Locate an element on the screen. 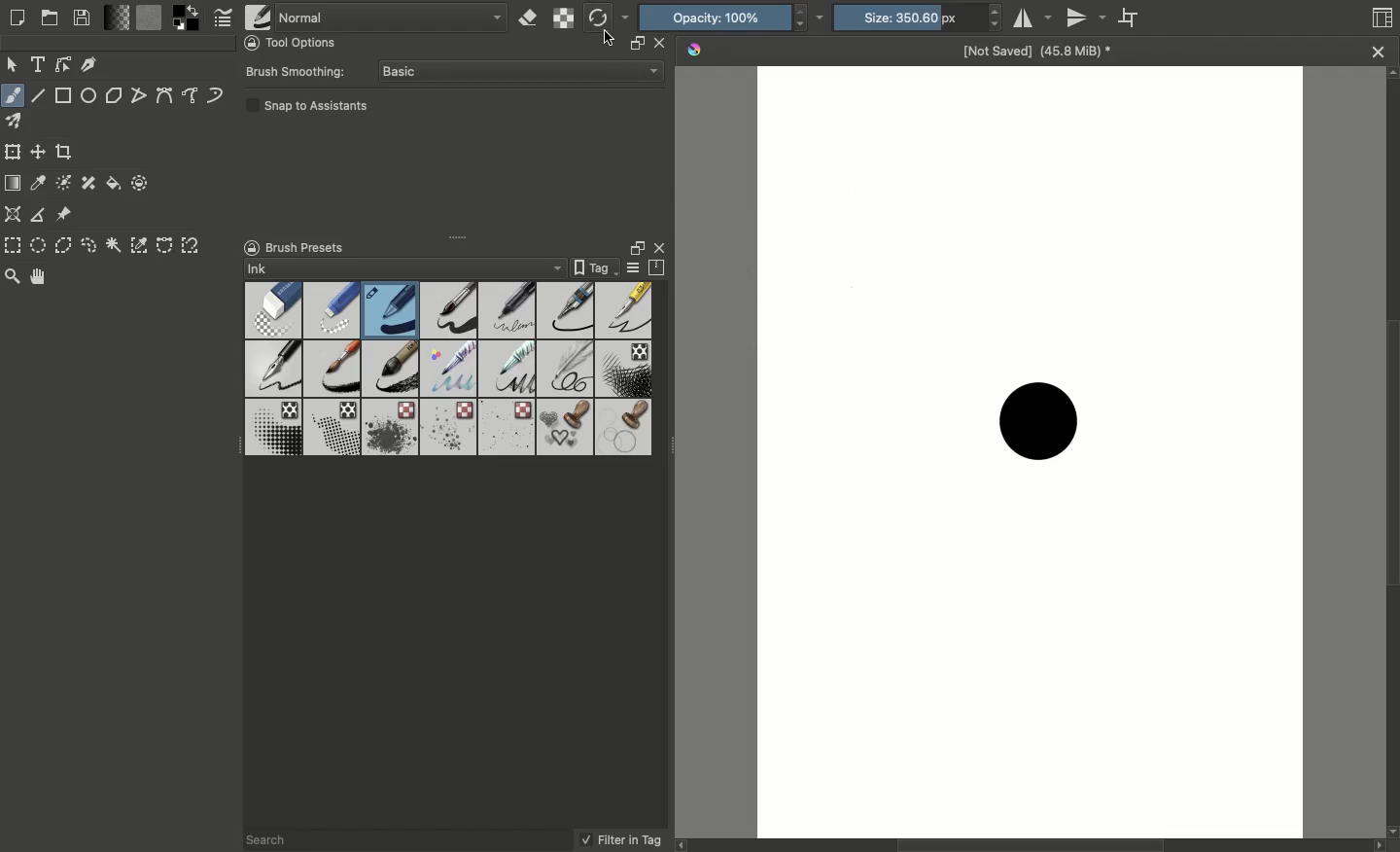 This screenshot has height=852, width=1400. Snap to assistants is located at coordinates (308, 110).